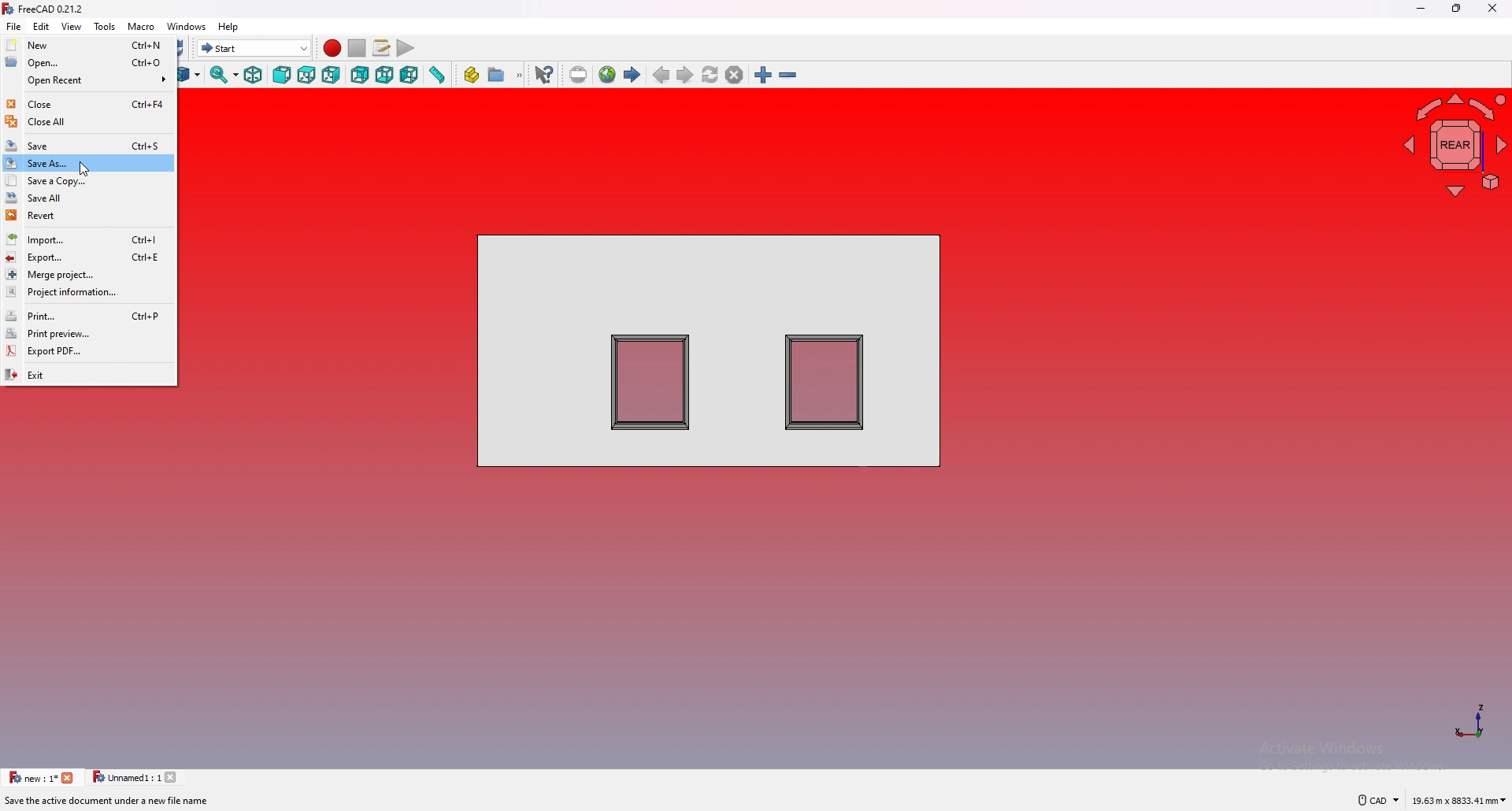  I want to click on back, so click(360, 75).